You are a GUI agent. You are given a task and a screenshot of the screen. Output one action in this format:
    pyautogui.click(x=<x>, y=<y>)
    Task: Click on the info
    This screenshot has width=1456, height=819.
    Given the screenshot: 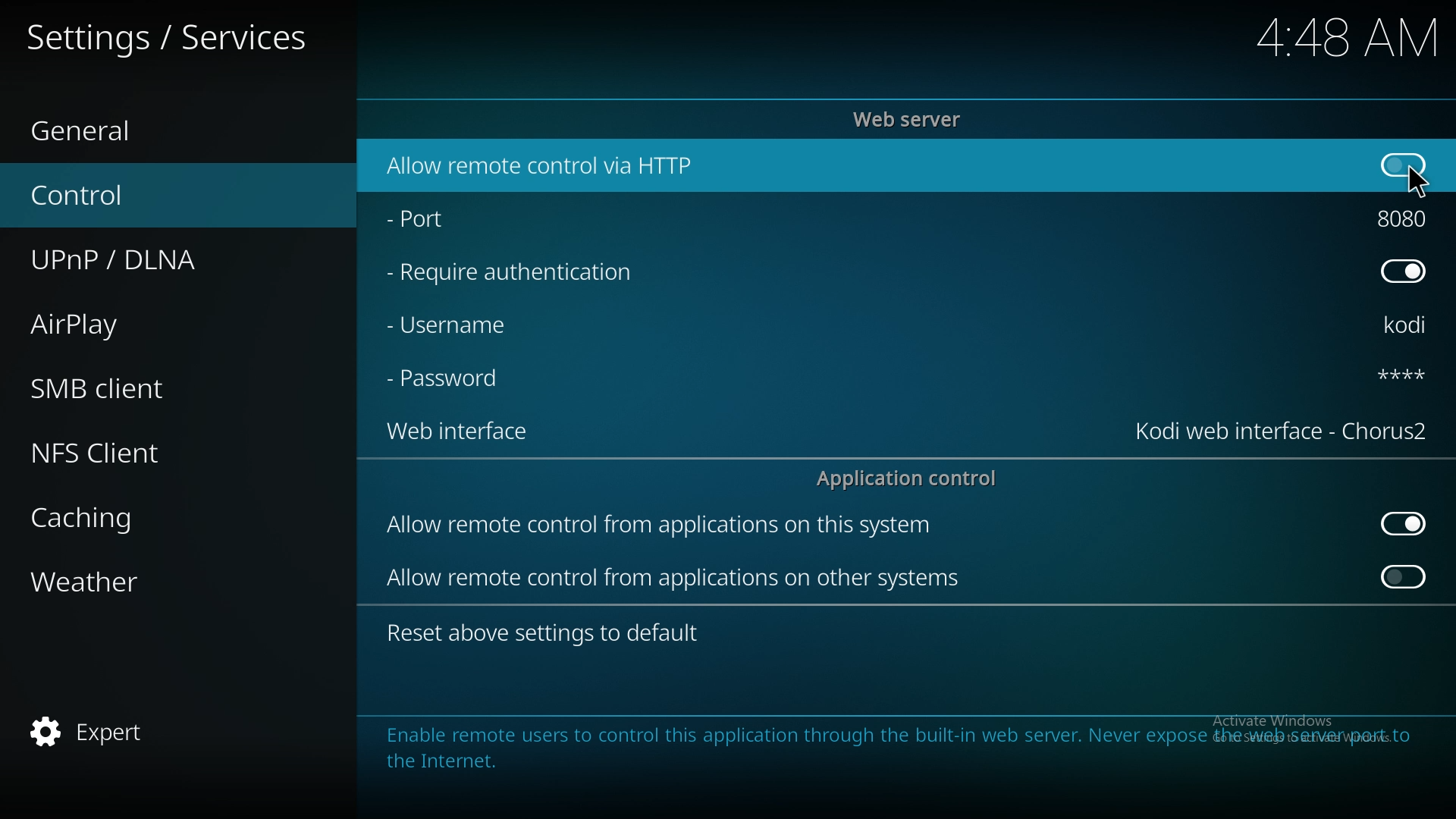 What is the action you would take?
    pyautogui.click(x=899, y=747)
    